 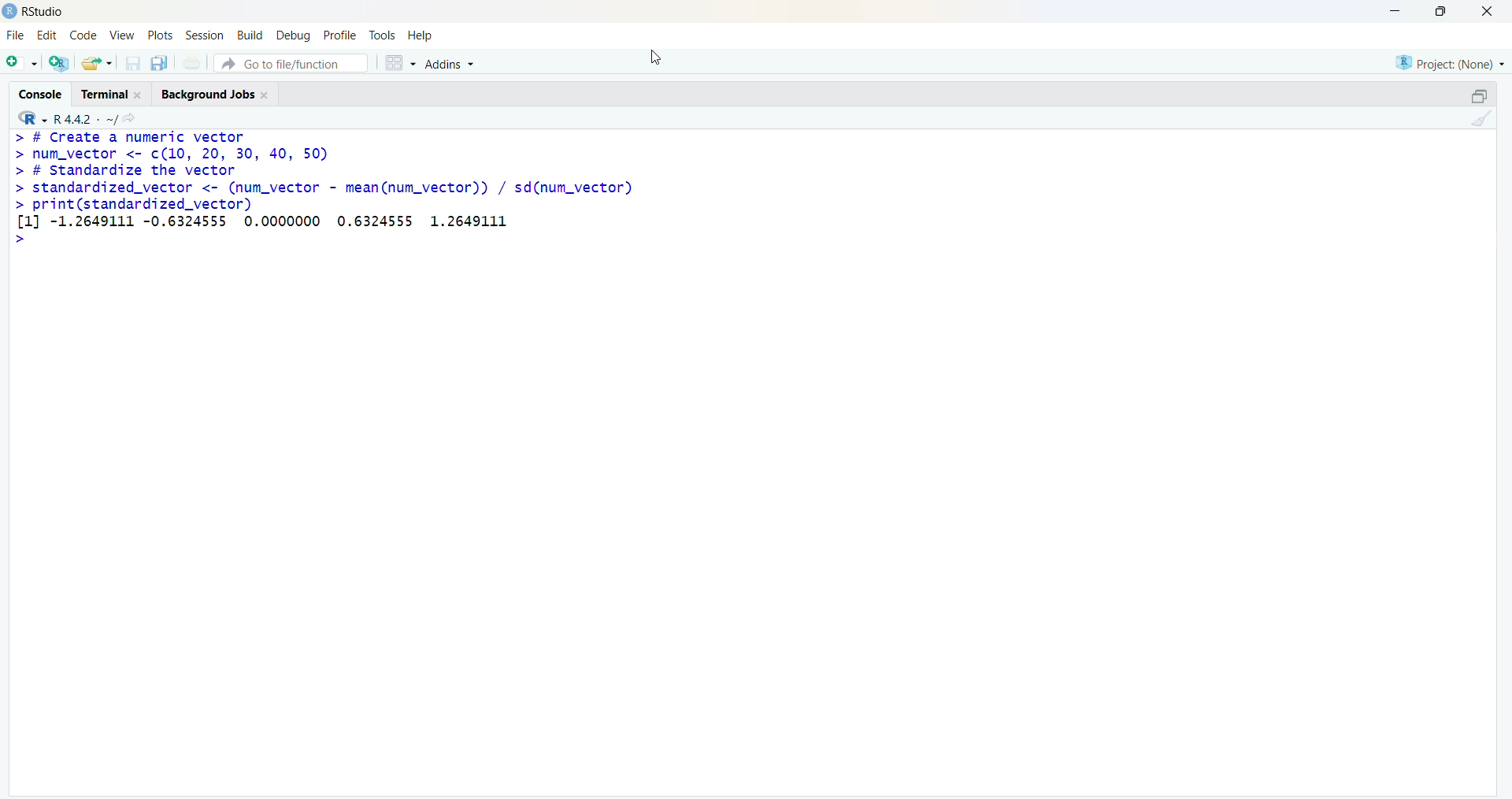 I want to click on help, so click(x=421, y=36).